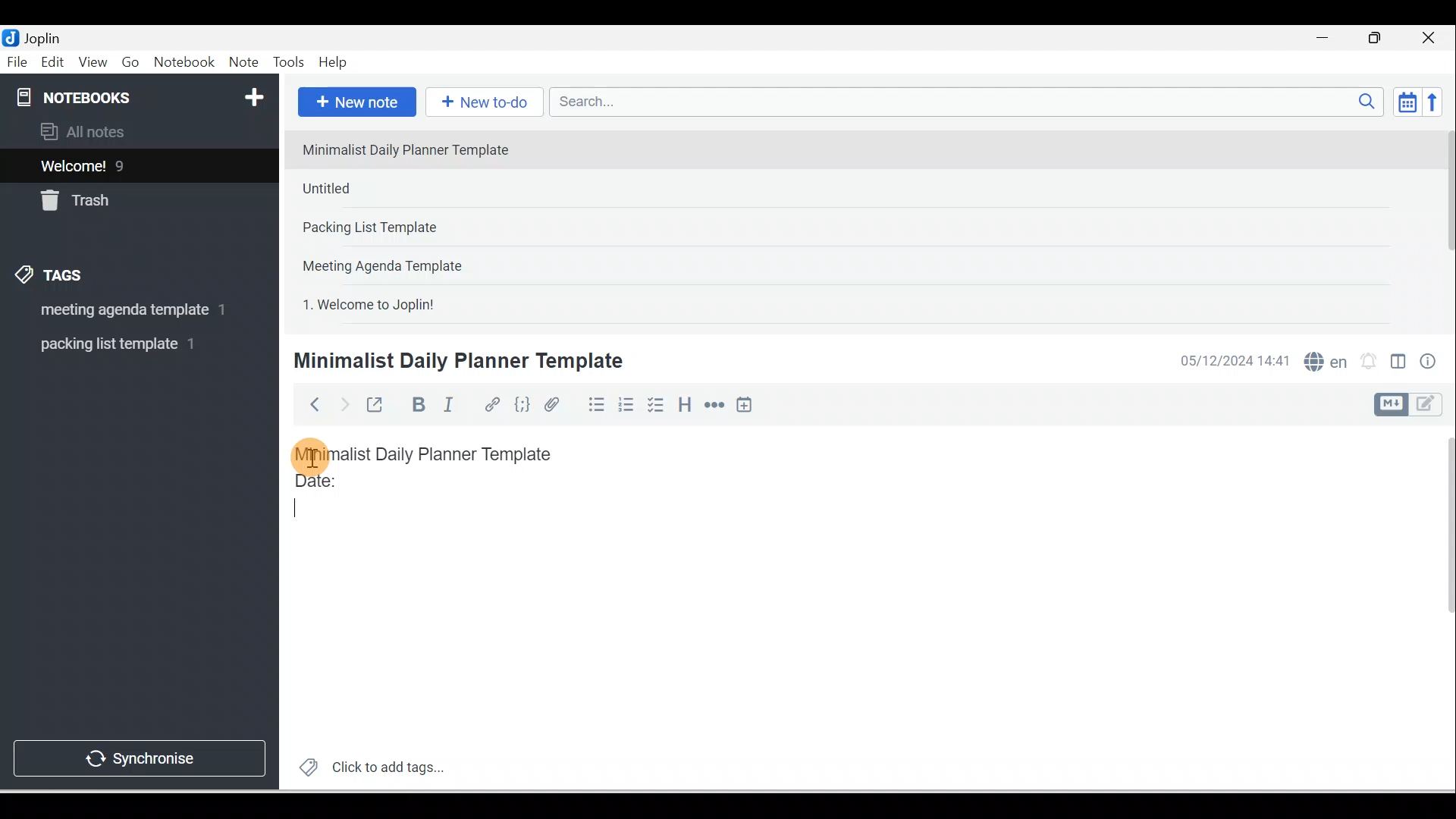  I want to click on Note 5, so click(424, 303).